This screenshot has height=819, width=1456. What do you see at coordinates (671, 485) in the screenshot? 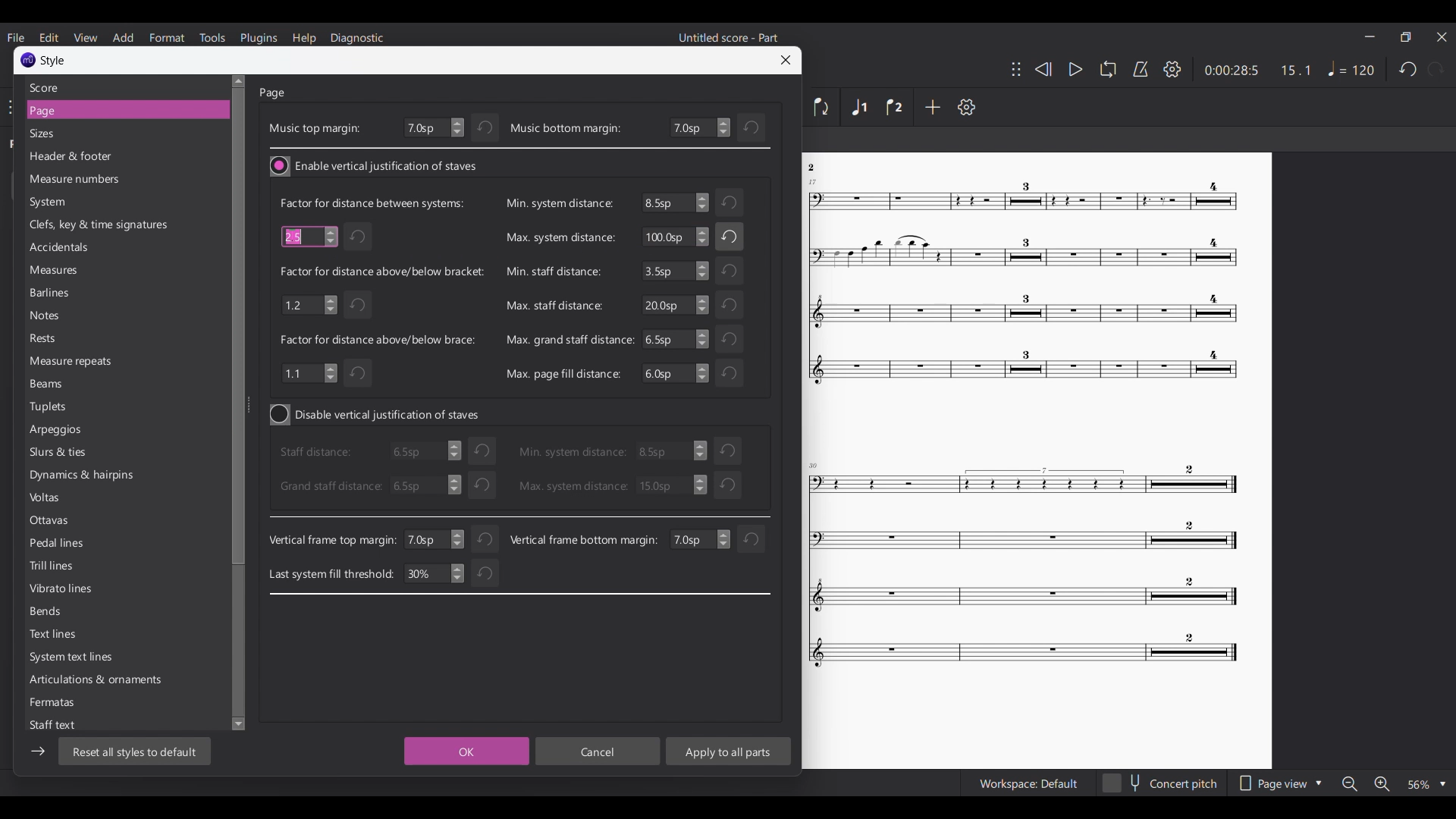
I see `30.0 sp` at bounding box center [671, 485].